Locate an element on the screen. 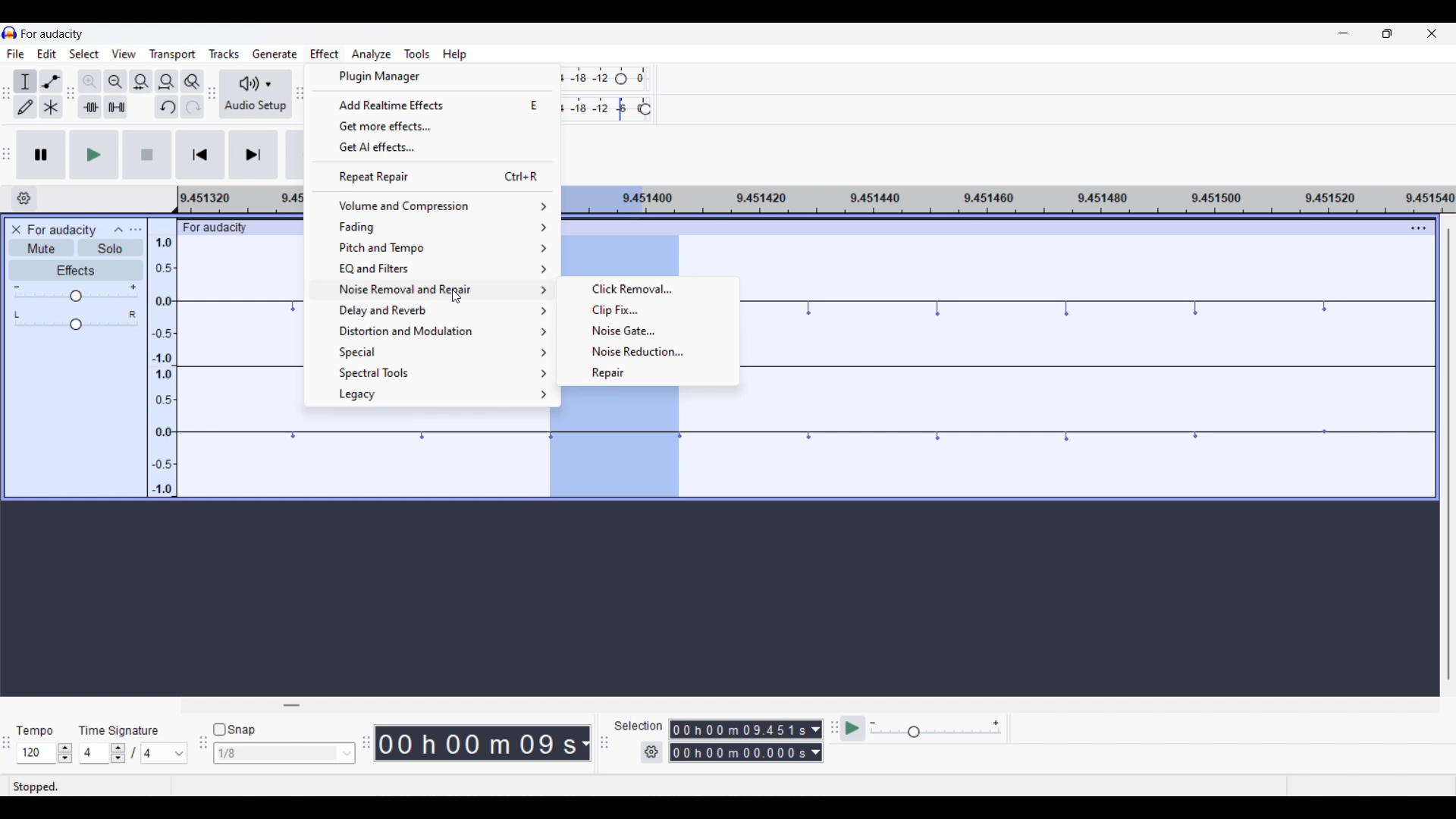 The height and width of the screenshot is (819, 1456). Tracks menu is located at coordinates (224, 54).